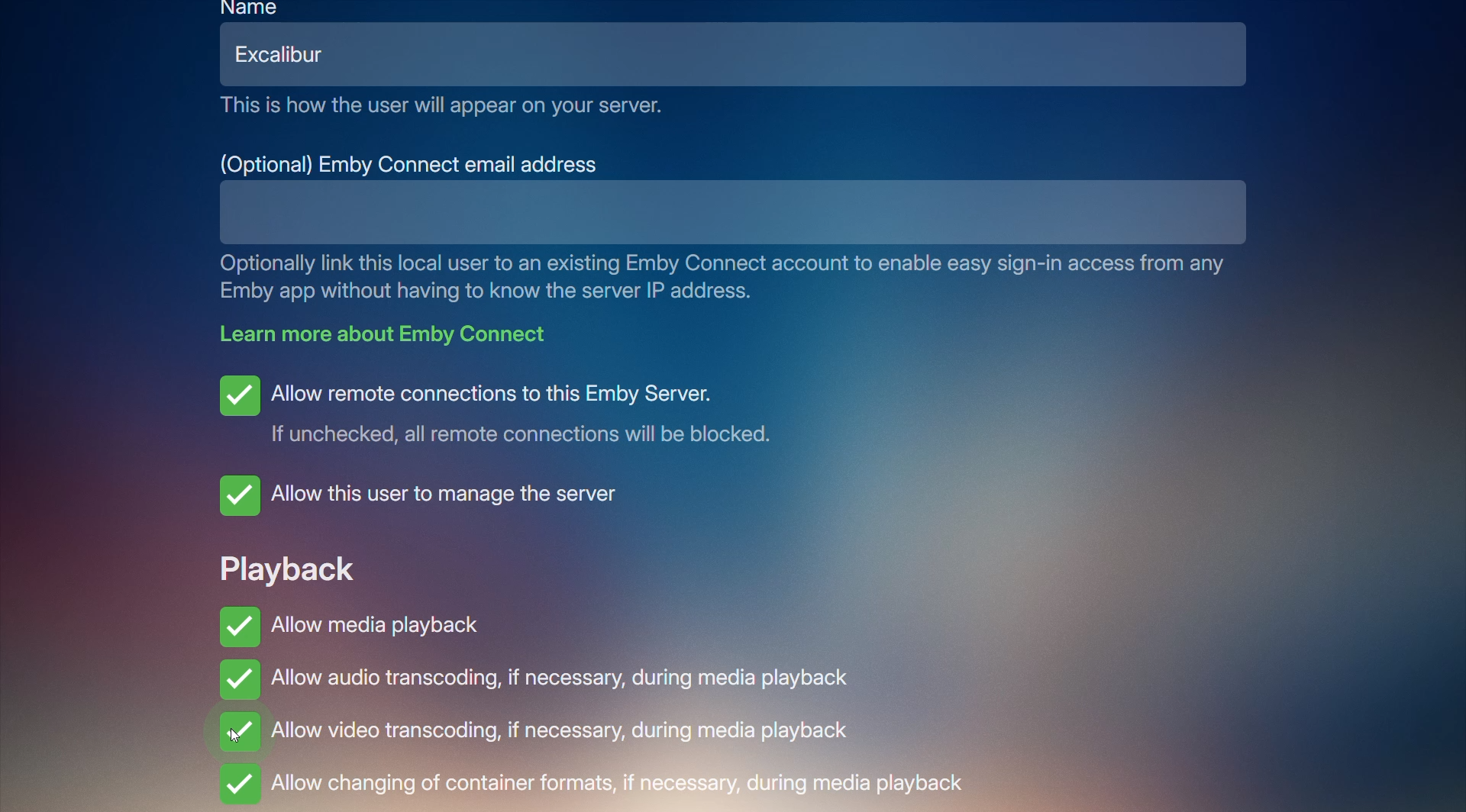 The width and height of the screenshot is (1466, 812). Describe the element at coordinates (291, 54) in the screenshot. I see `Excalibur` at that location.